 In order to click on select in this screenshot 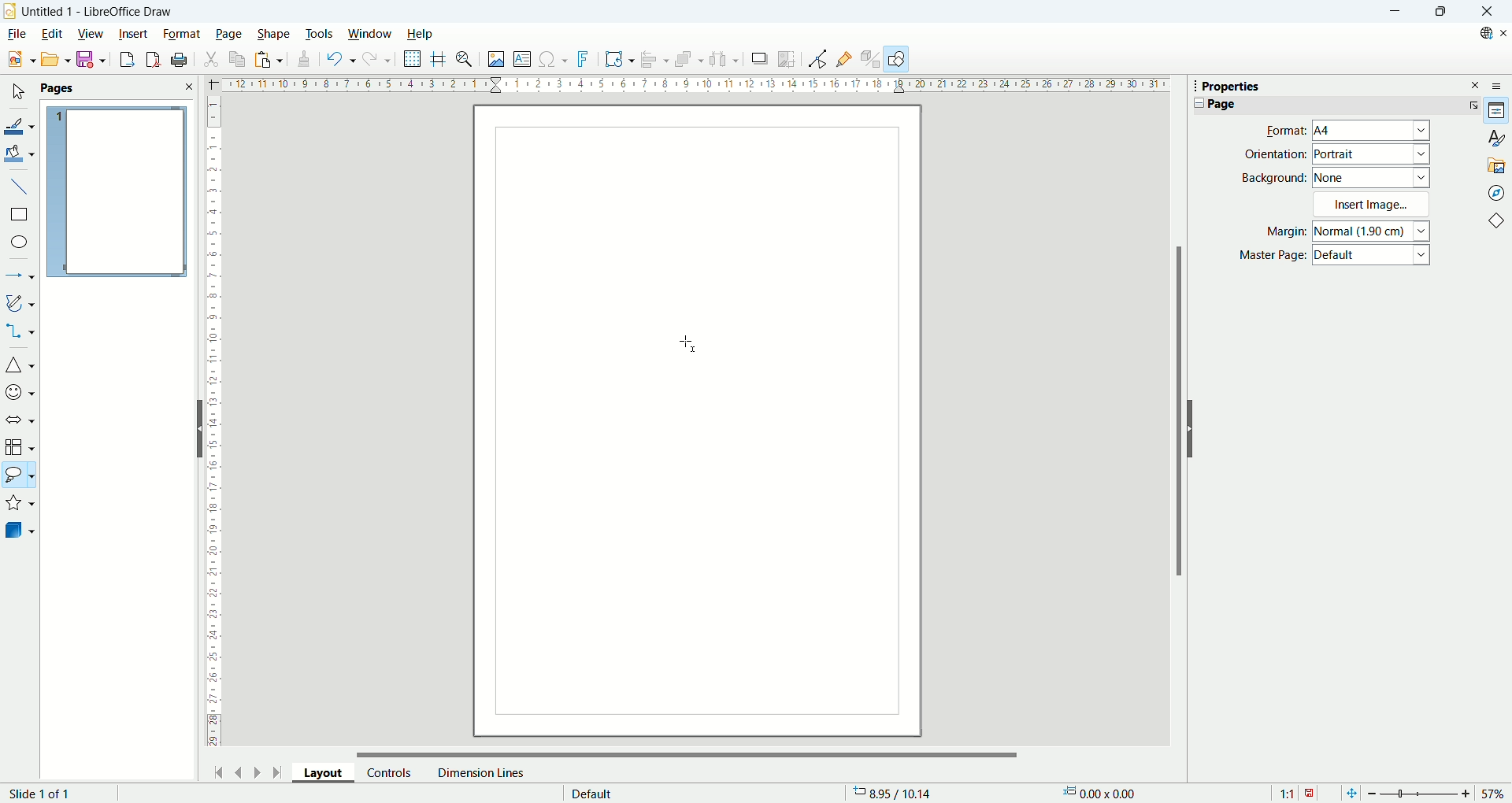, I will do `click(17, 93)`.